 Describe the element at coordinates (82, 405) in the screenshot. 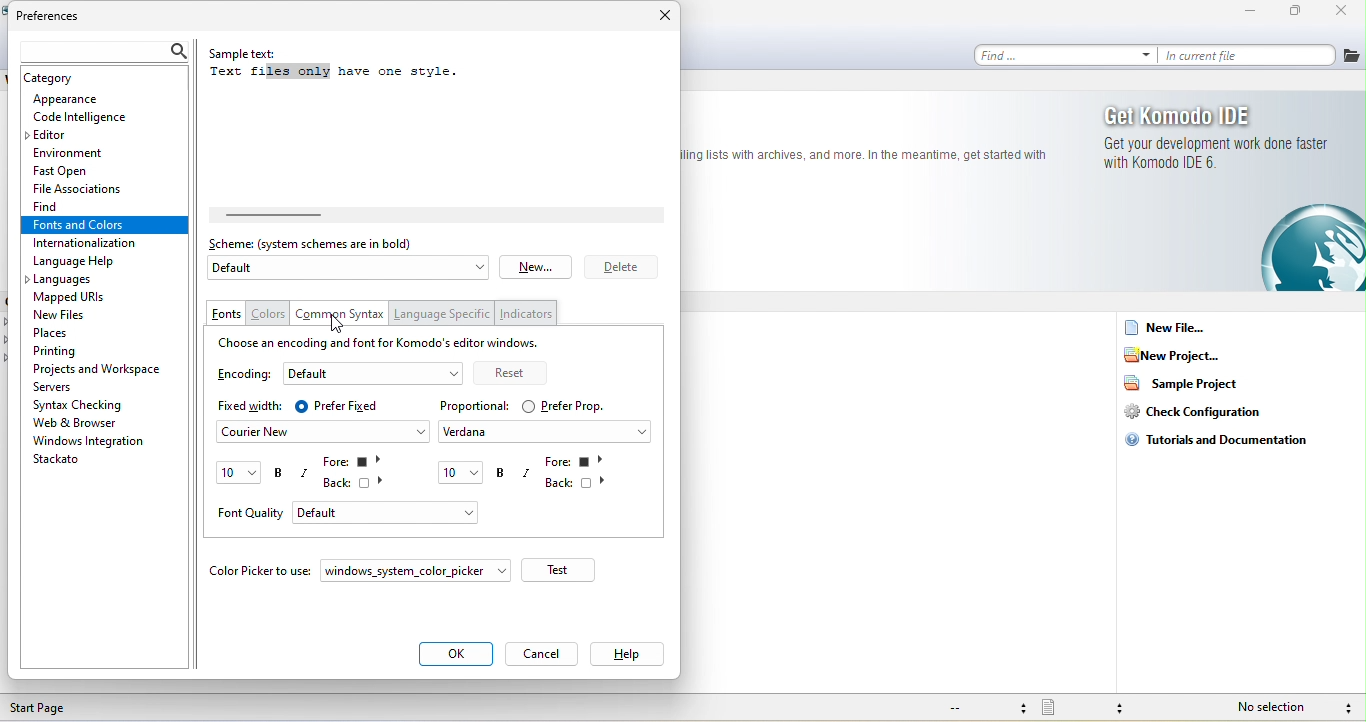

I see `syntax checking` at that location.